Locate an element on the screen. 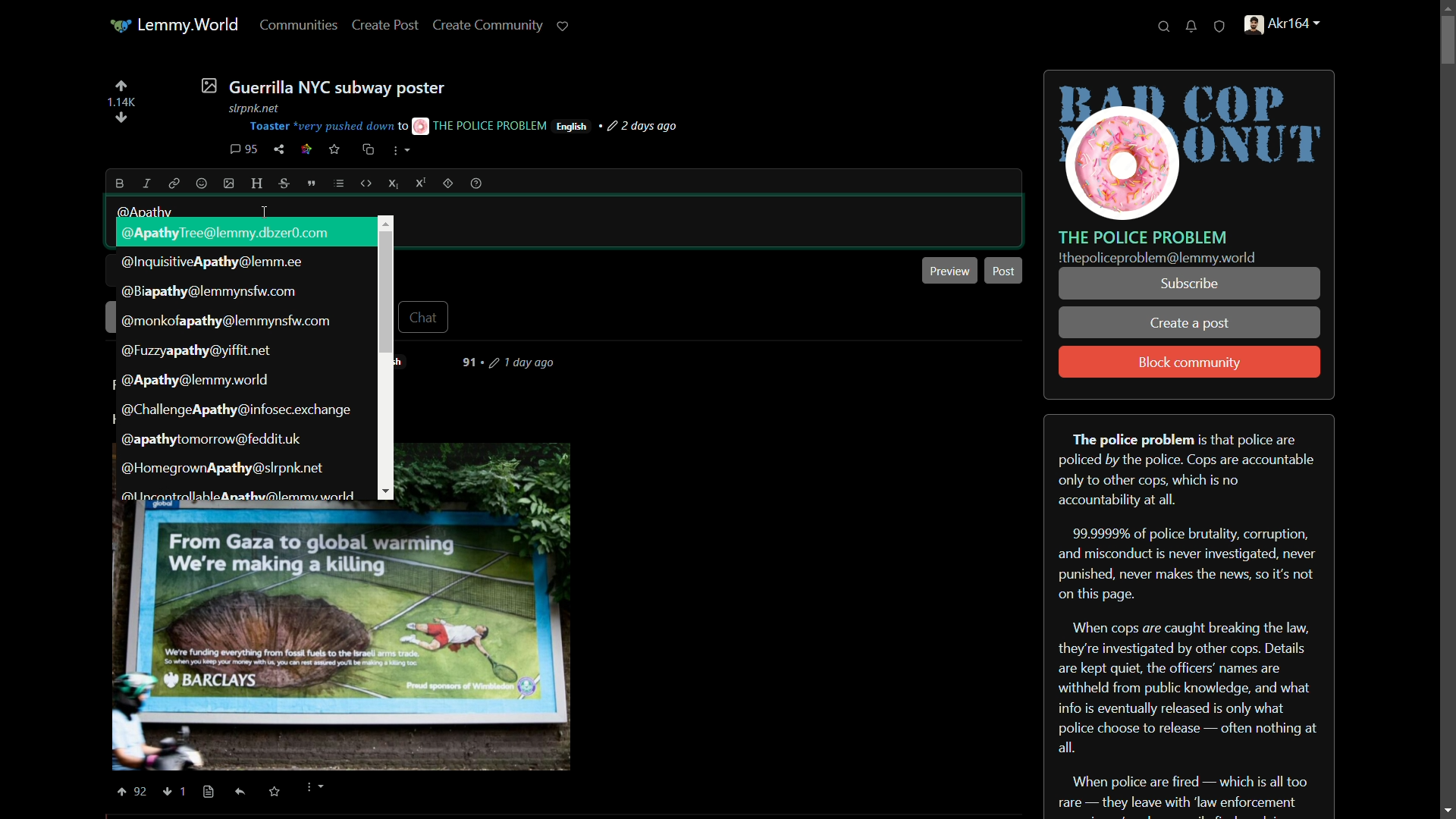  support lemmy.world is located at coordinates (563, 26).